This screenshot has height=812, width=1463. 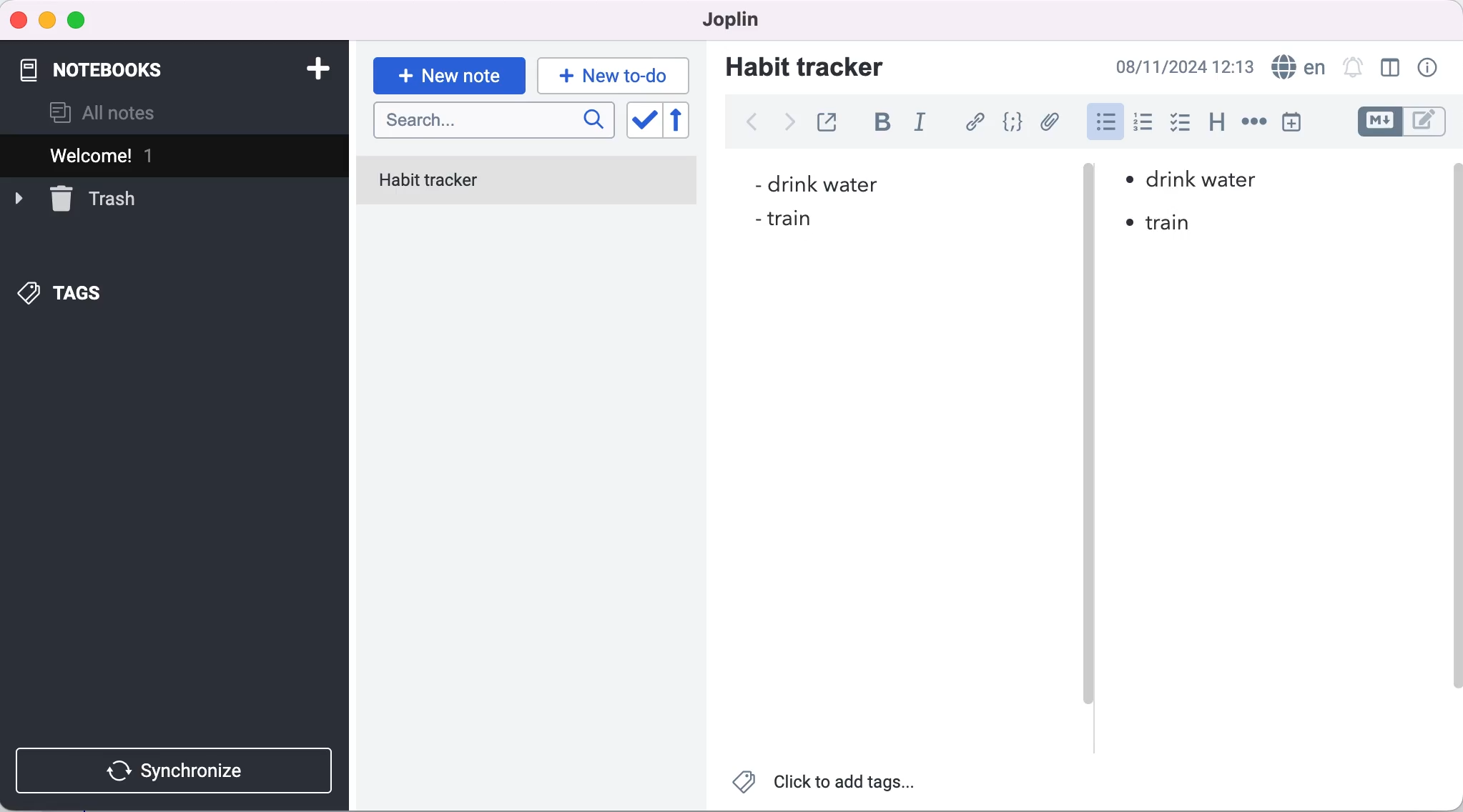 I want to click on • drink water, so click(x=1191, y=180).